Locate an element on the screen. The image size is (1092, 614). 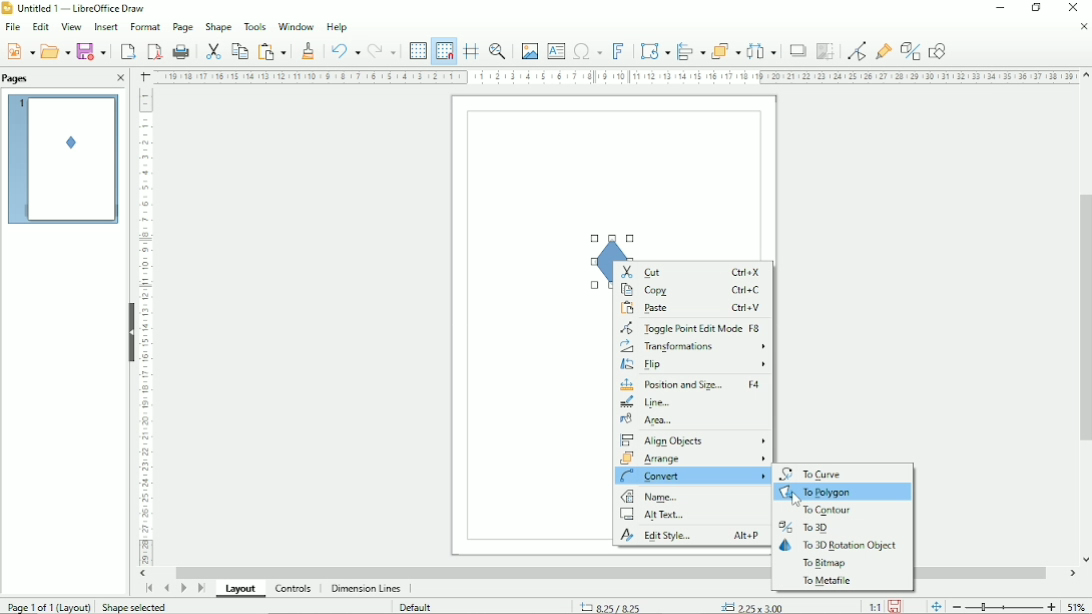
File is located at coordinates (13, 27).